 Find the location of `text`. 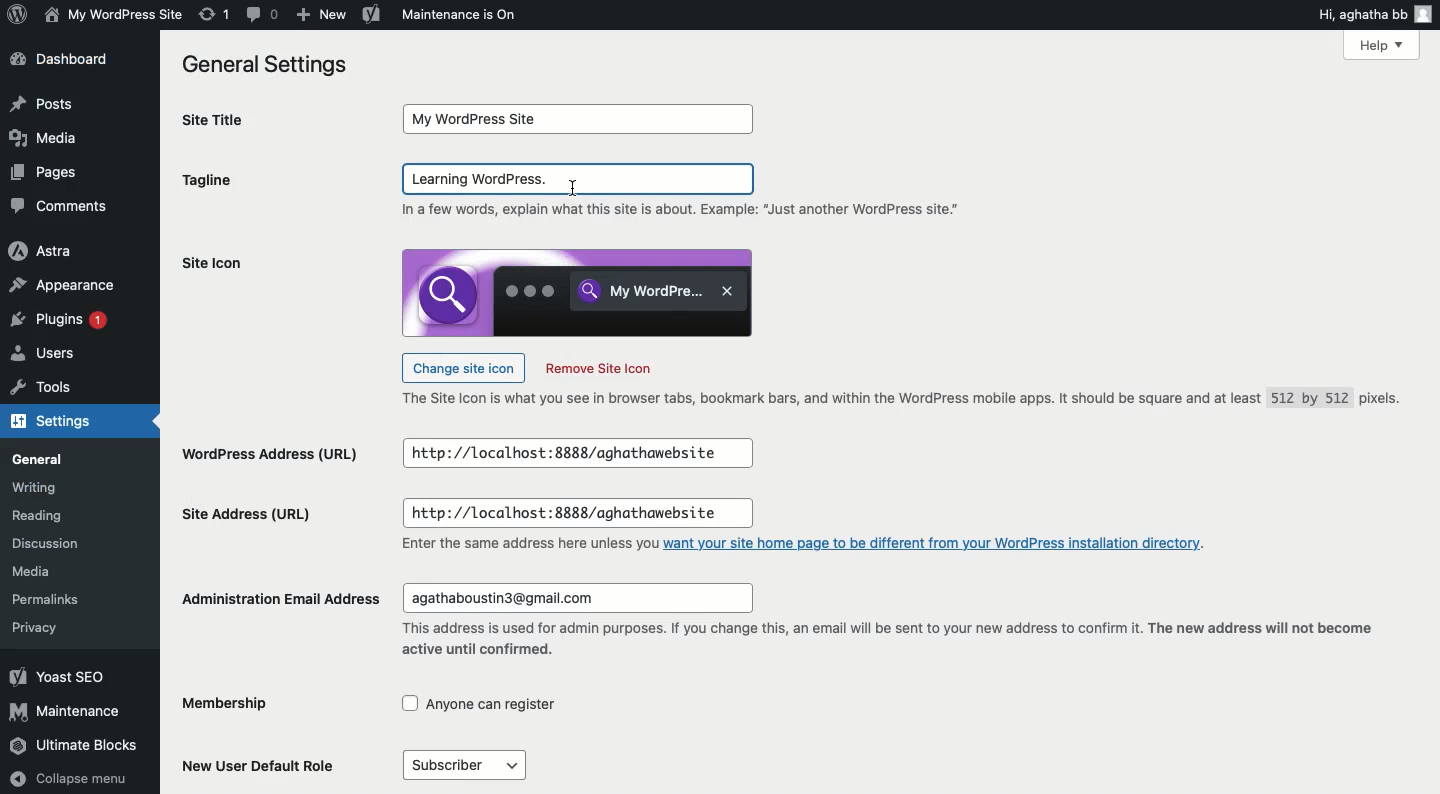

text is located at coordinates (527, 545).